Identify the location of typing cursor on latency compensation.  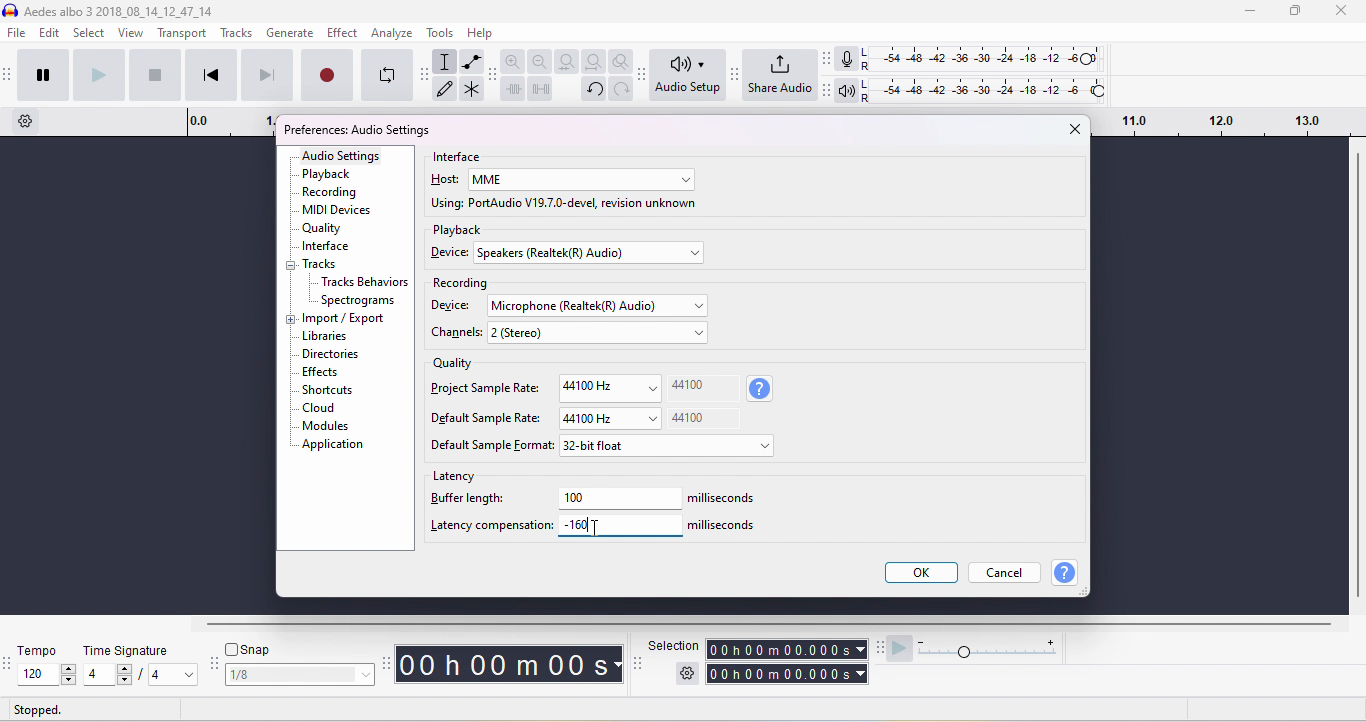
(599, 529).